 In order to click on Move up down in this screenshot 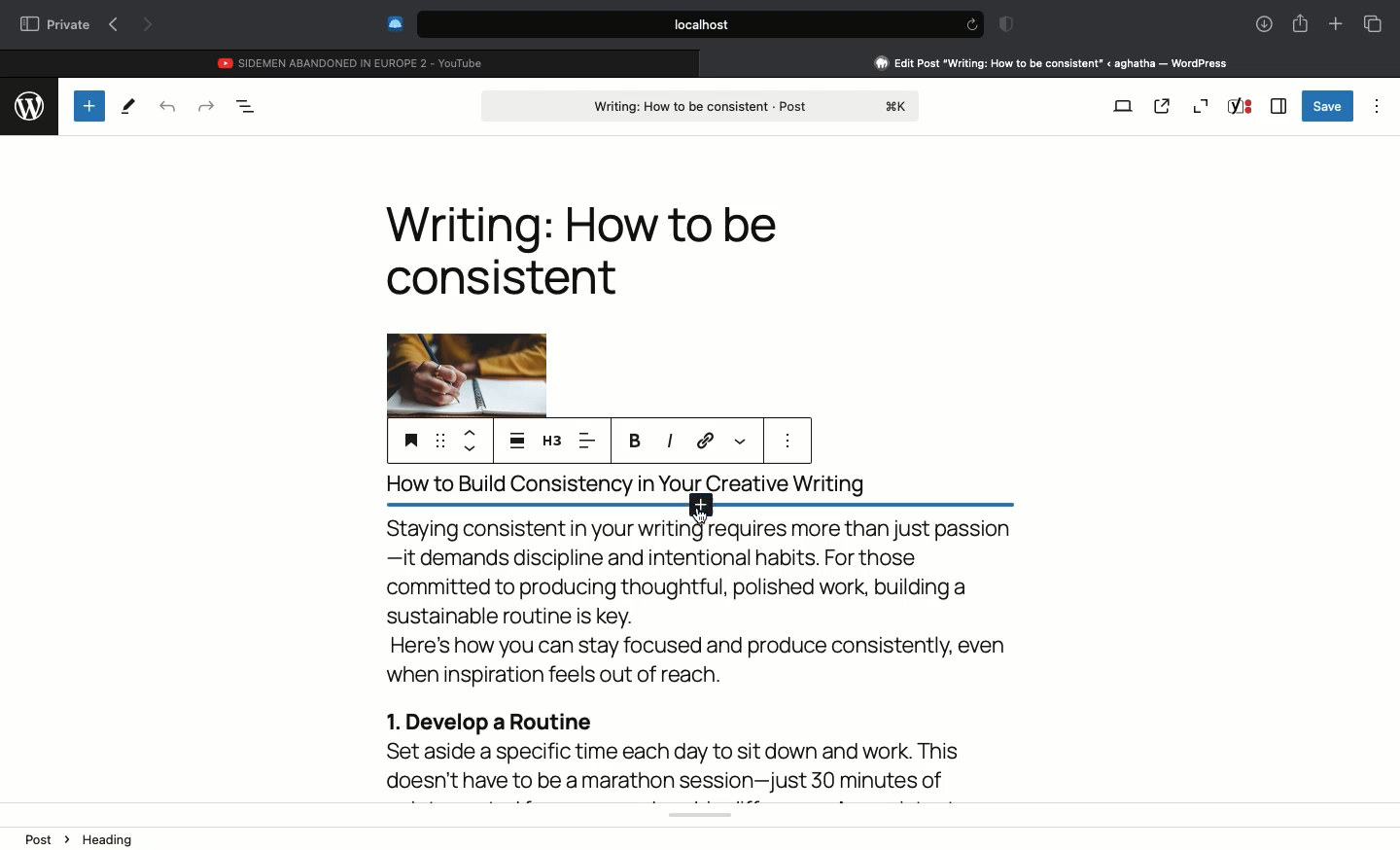, I will do `click(471, 442)`.